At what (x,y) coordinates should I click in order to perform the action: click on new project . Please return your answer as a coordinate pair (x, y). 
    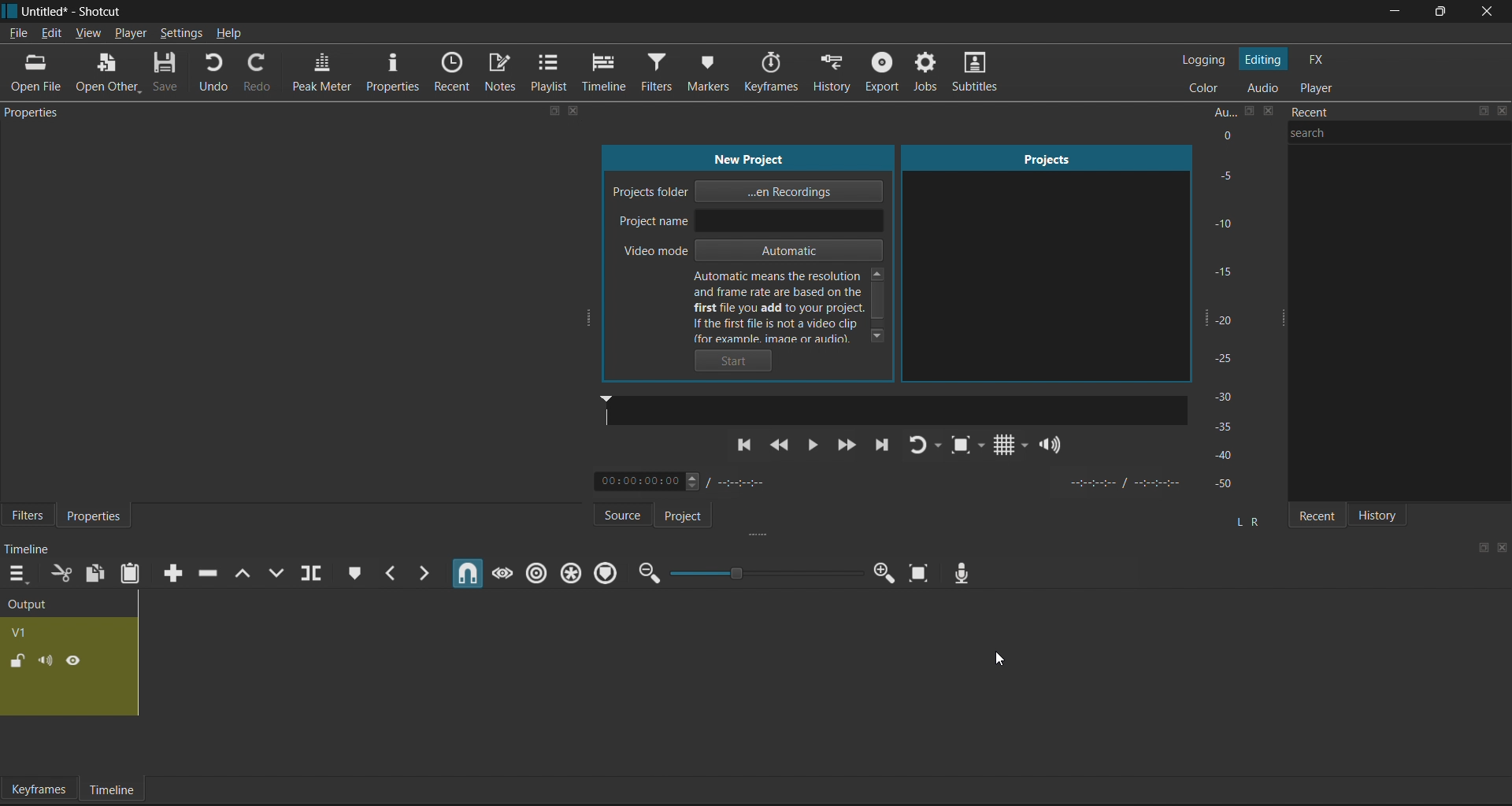
    Looking at the image, I should click on (751, 157).